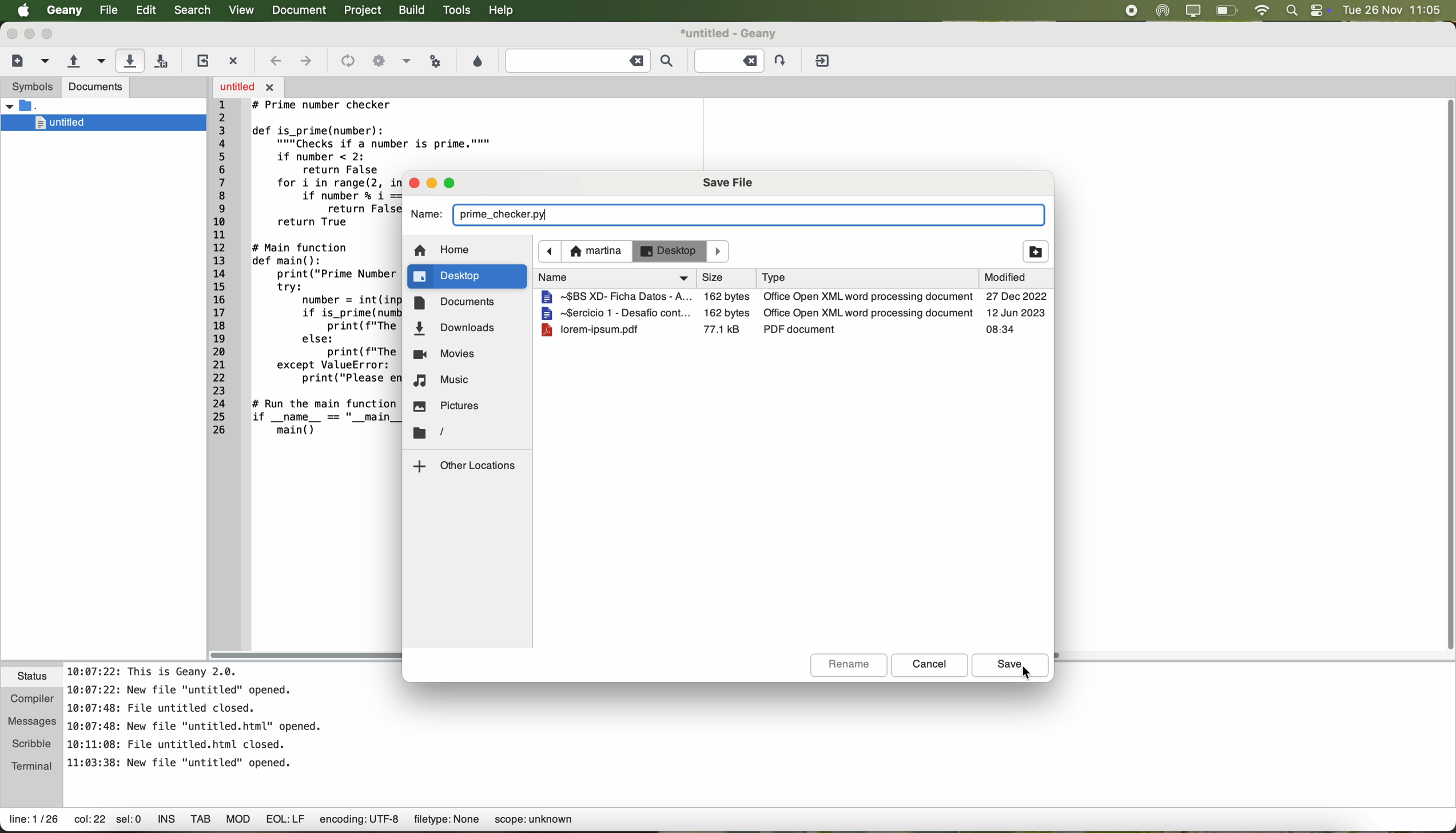  Describe the element at coordinates (1292, 11) in the screenshot. I see `spotlight search` at that location.